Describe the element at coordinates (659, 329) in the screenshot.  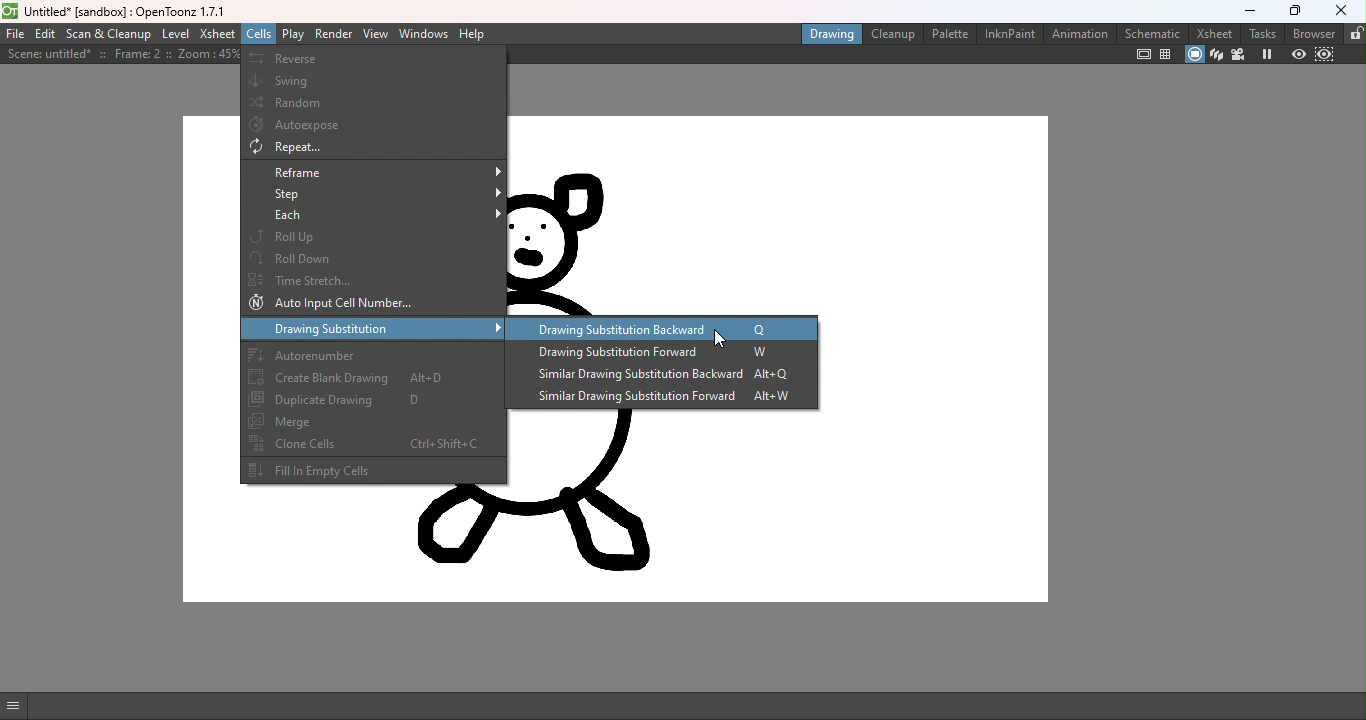
I see `Drawing substitution backward` at that location.